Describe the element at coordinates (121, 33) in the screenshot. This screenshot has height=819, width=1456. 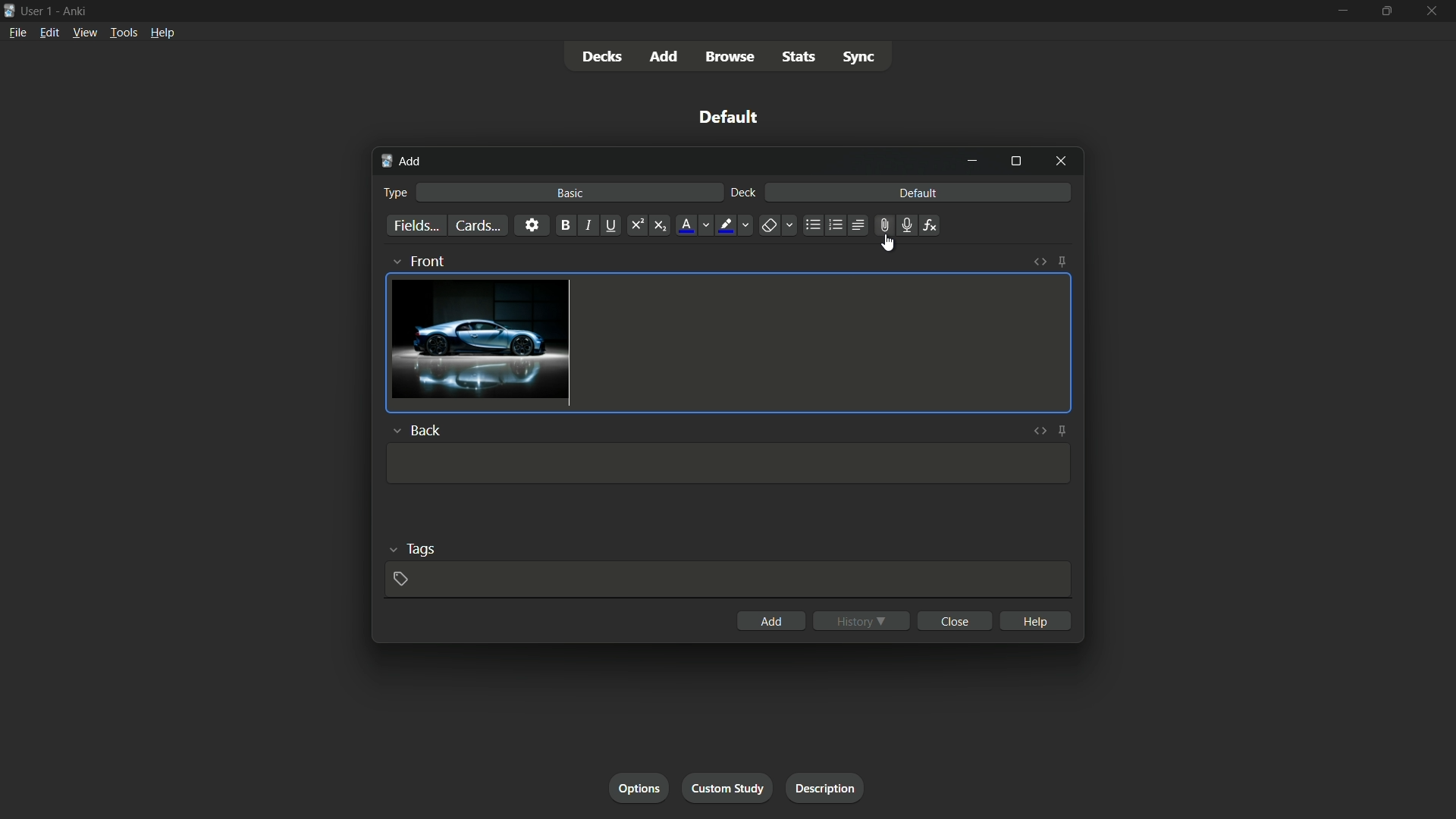
I see `tools menu` at that location.